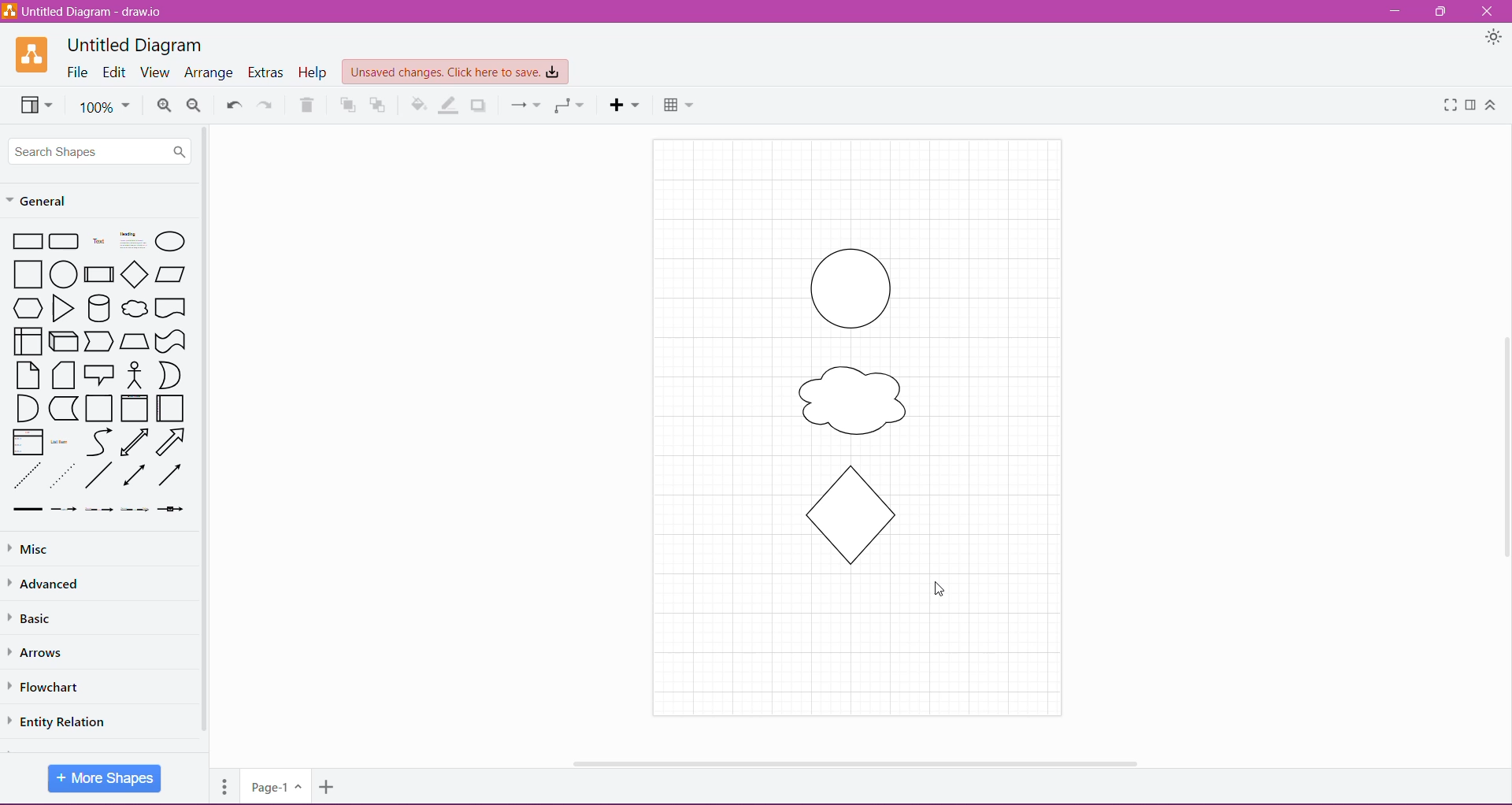 The image size is (1512, 805). What do you see at coordinates (1487, 12) in the screenshot?
I see `Close` at bounding box center [1487, 12].